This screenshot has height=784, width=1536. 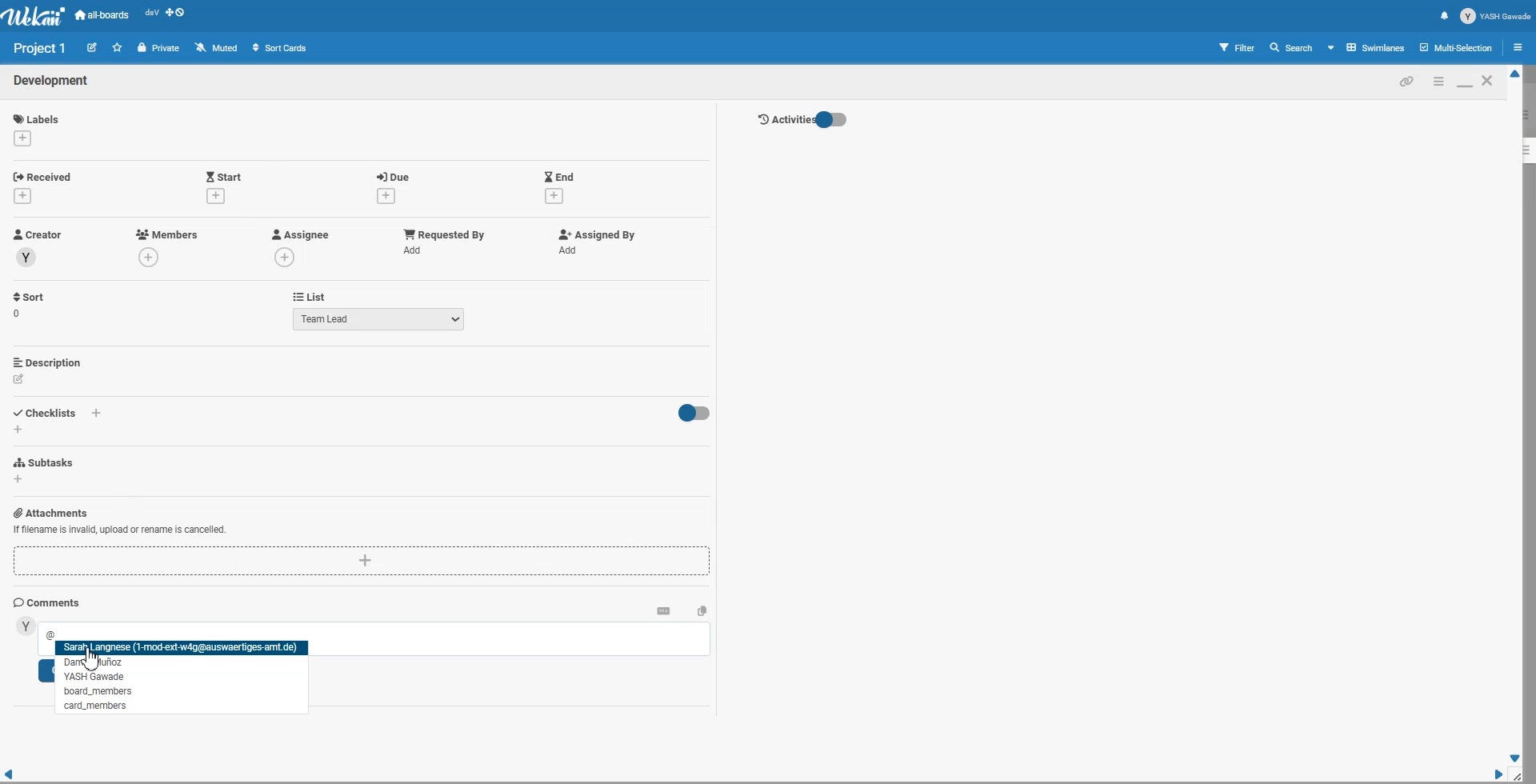 I want to click on Text, so click(x=41, y=48).